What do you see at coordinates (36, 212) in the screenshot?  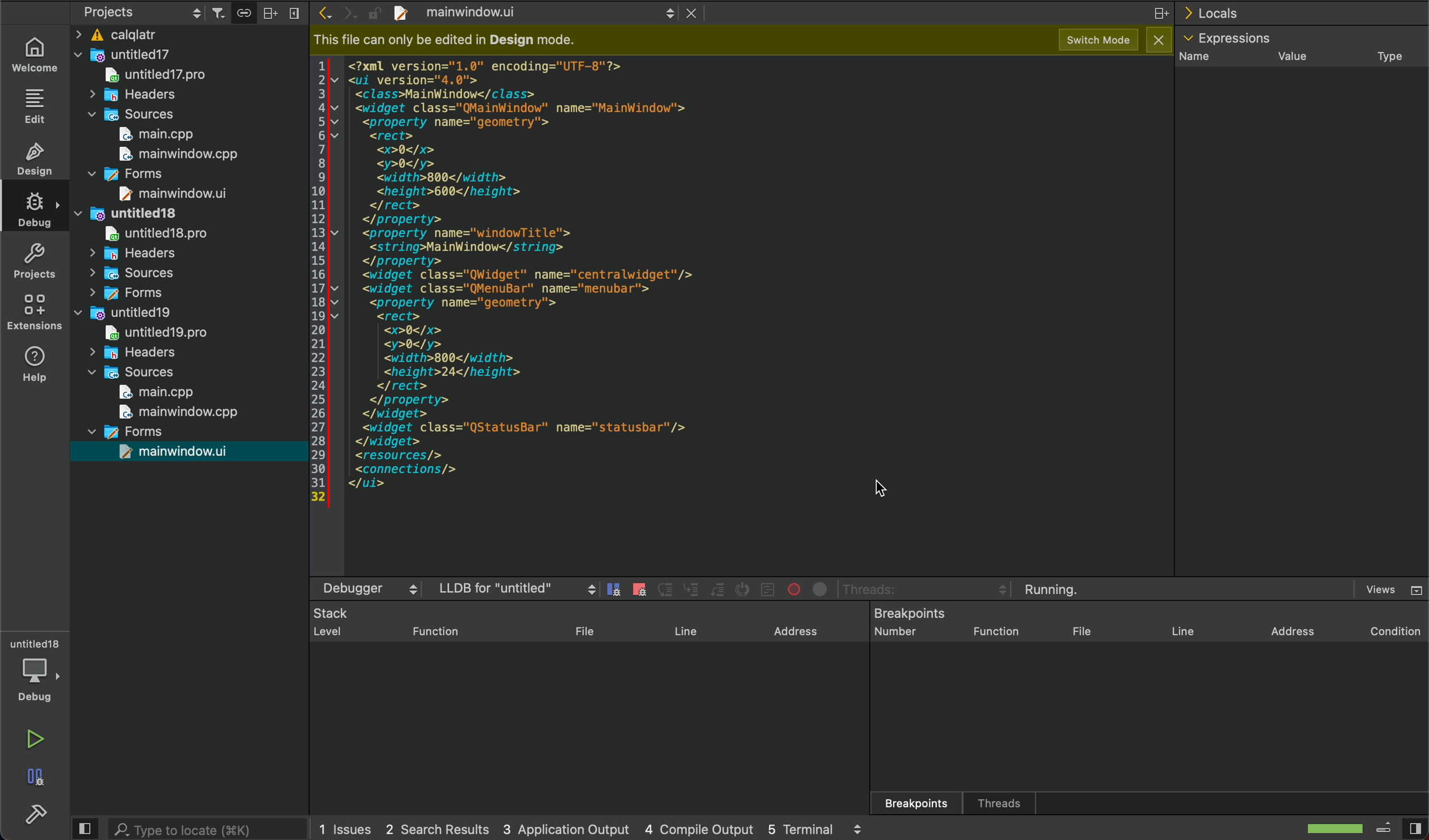 I see `debug` at bounding box center [36, 212].